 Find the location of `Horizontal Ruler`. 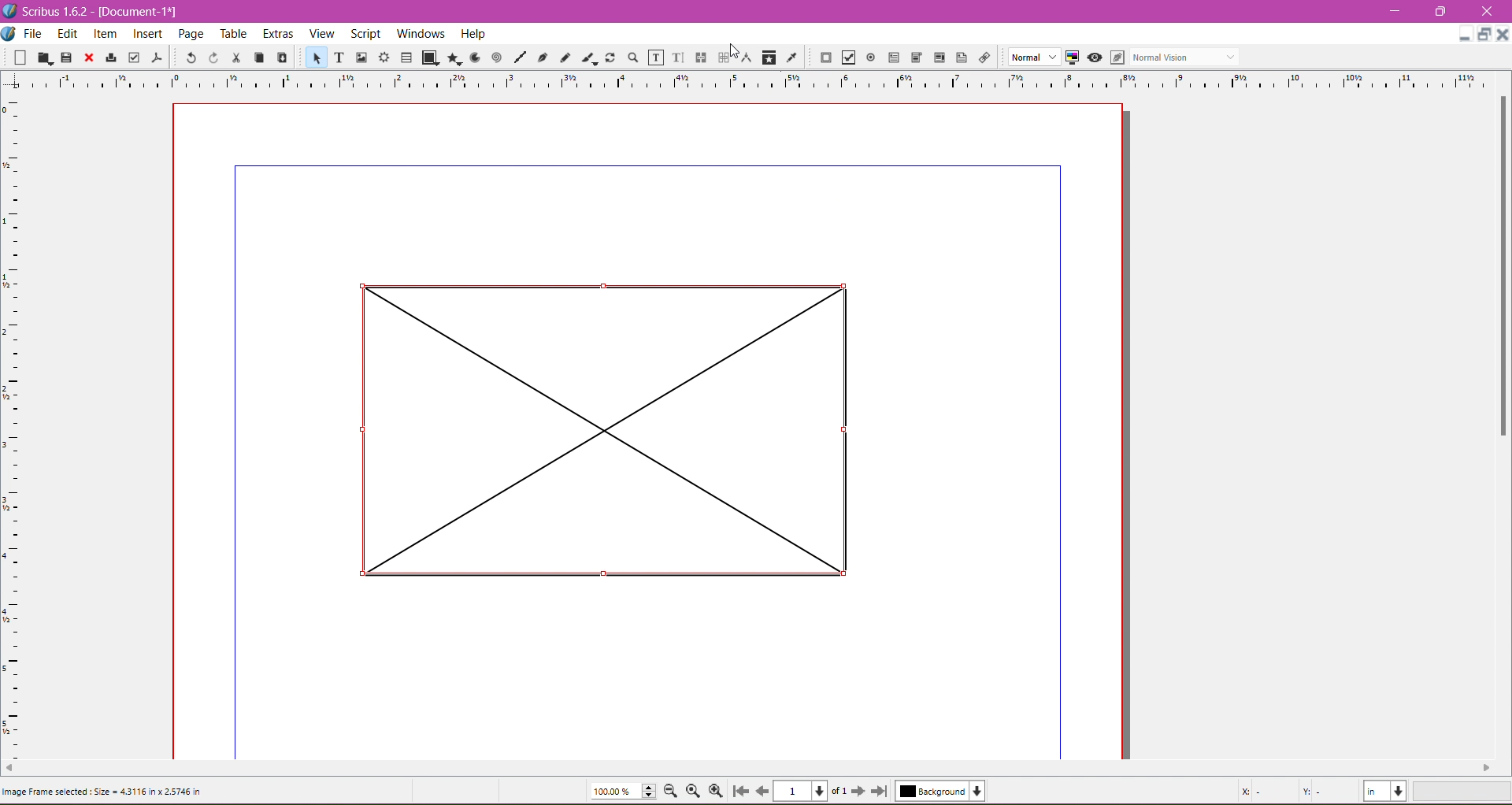

Horizontal Ruler is located at coordinates (757, 80).